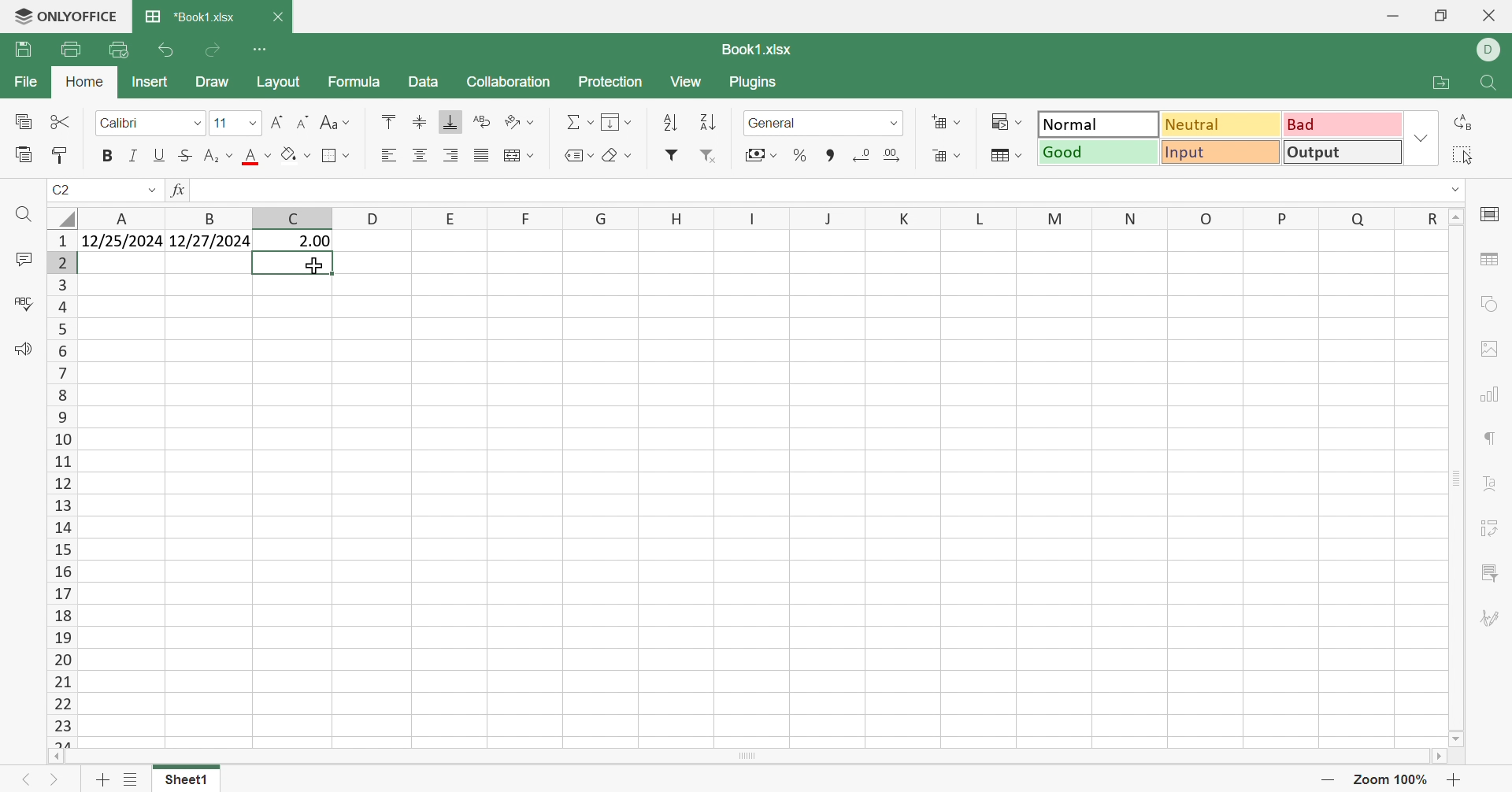  I want to click on Zoom 100%, so click(1395, 780).